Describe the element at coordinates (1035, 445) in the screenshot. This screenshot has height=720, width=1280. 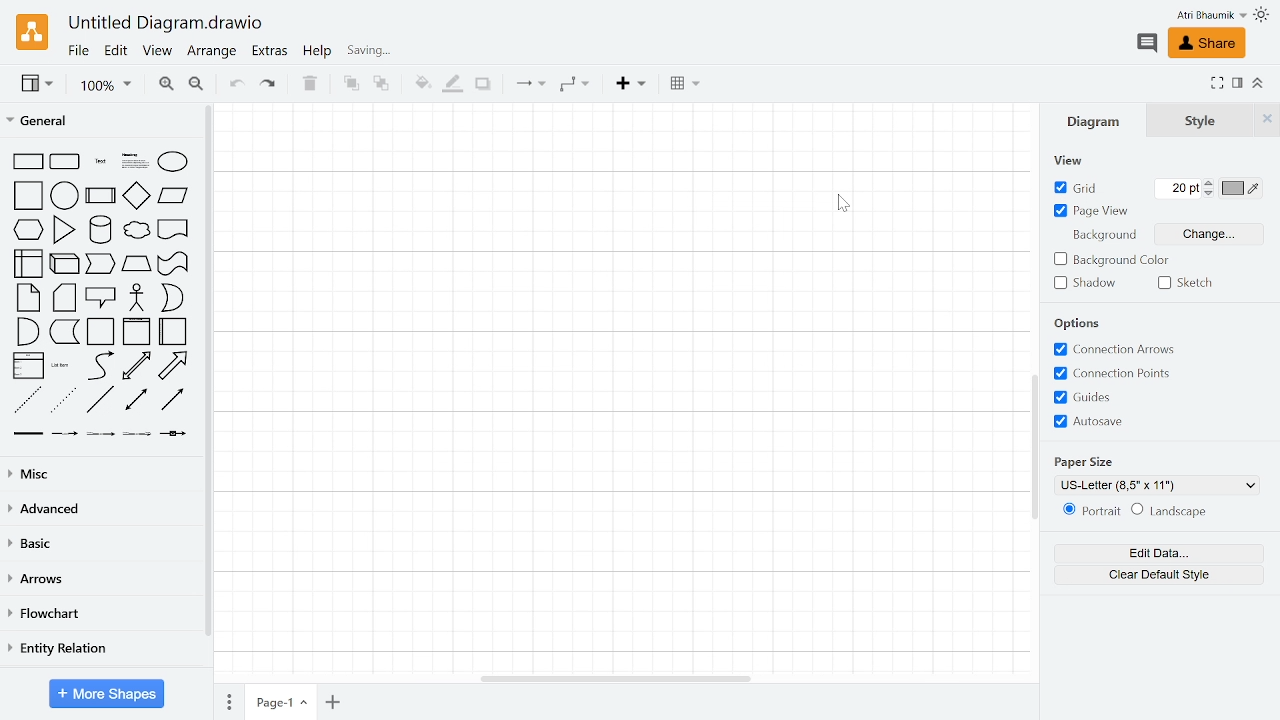
I see `Vertical scrollbar` at that location.